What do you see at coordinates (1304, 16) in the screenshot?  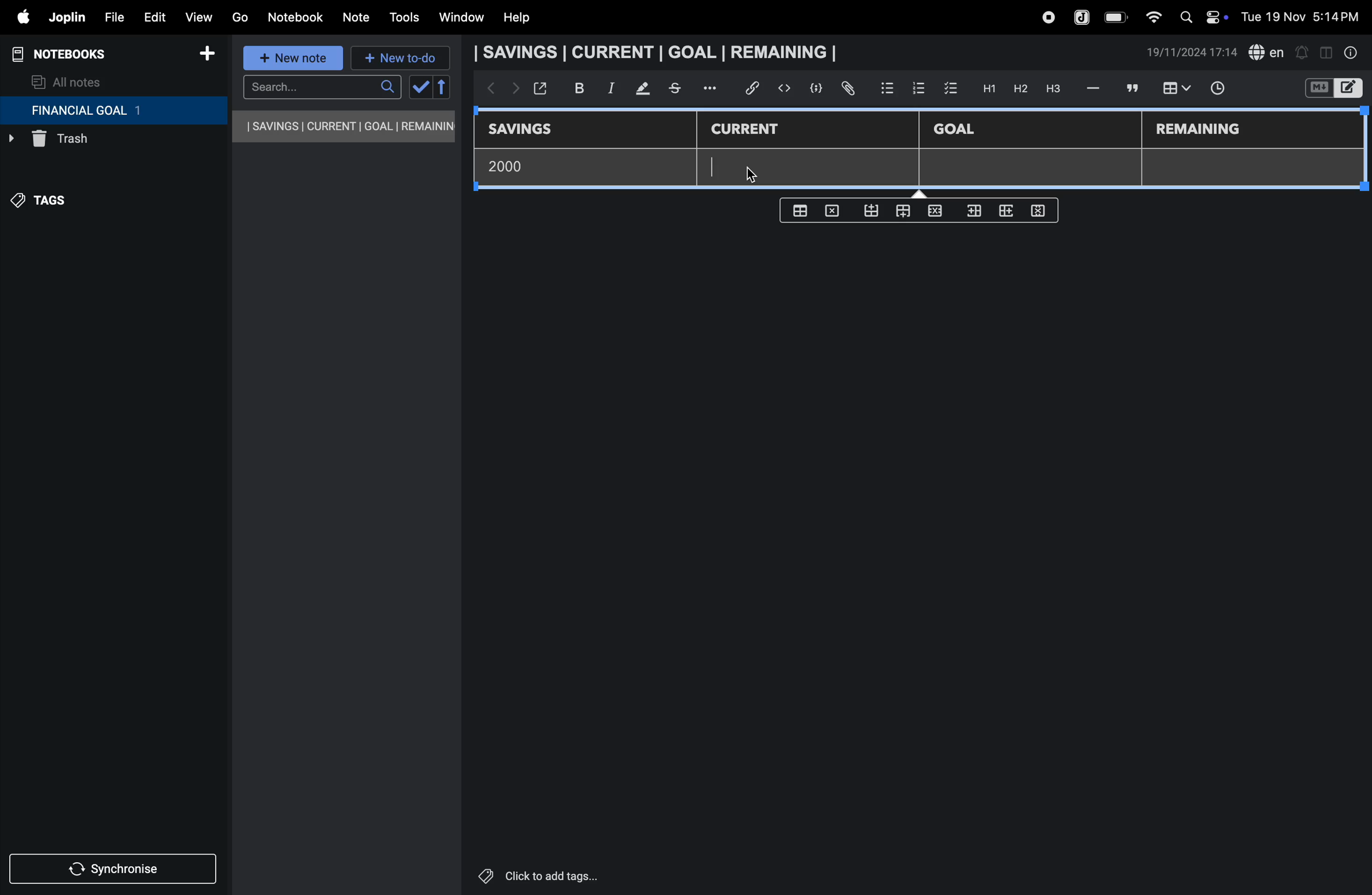 I see `date and time` at bounding box center [1304, 16].